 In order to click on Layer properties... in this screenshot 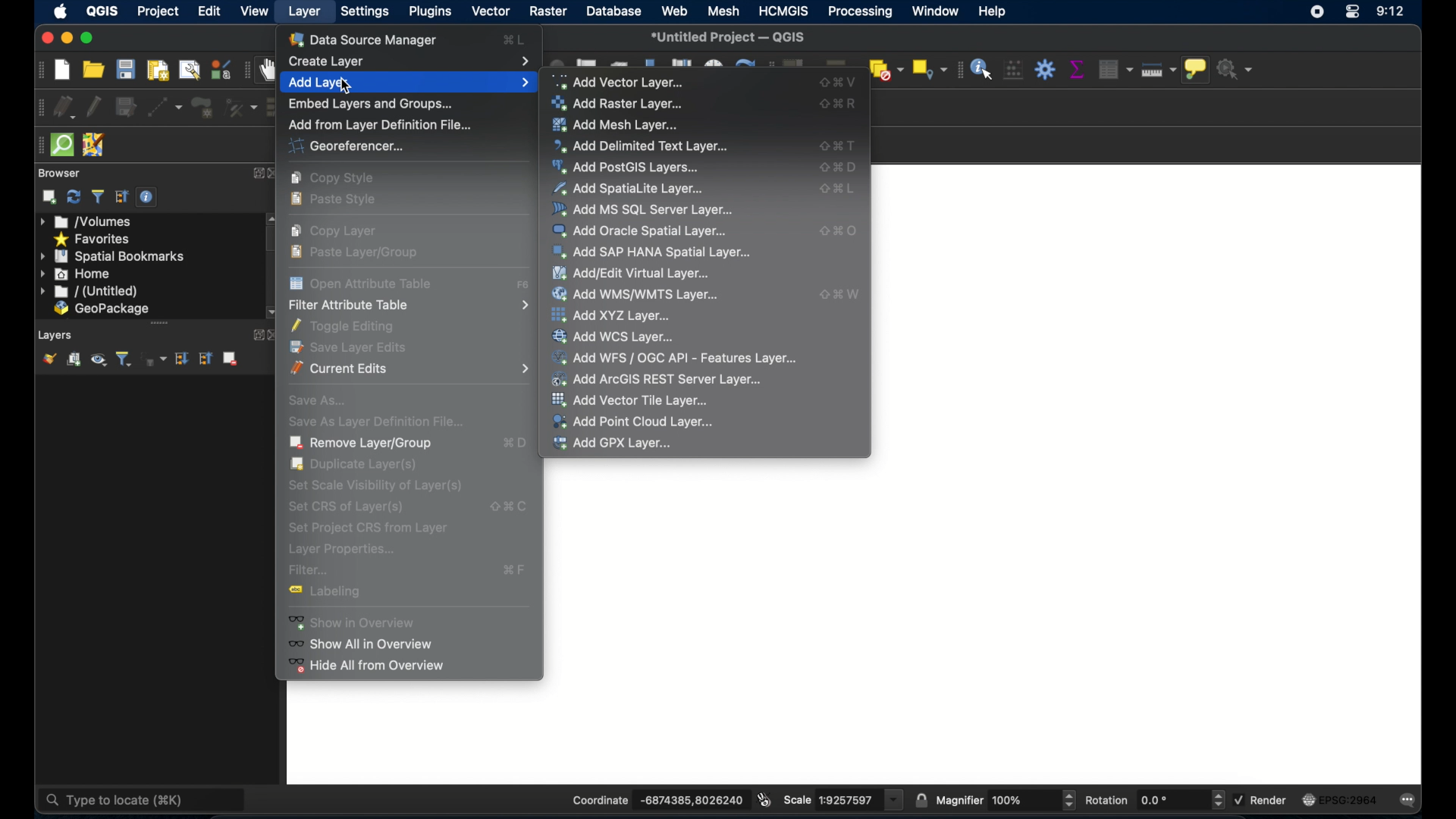, I will do `click(347, 552)`.